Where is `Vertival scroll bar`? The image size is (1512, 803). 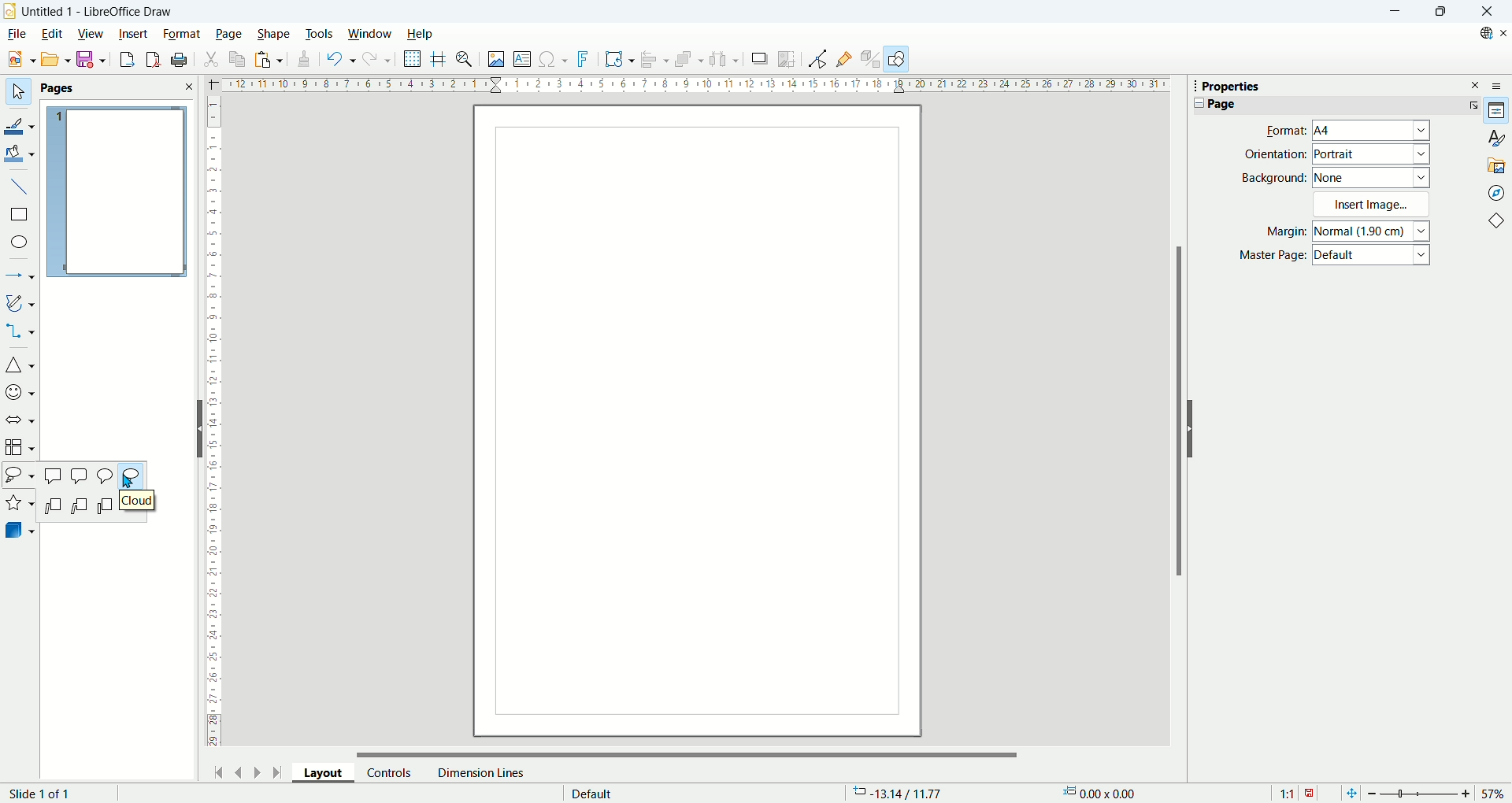
Vertival scroll bar is located at coordinates (1176, 419).